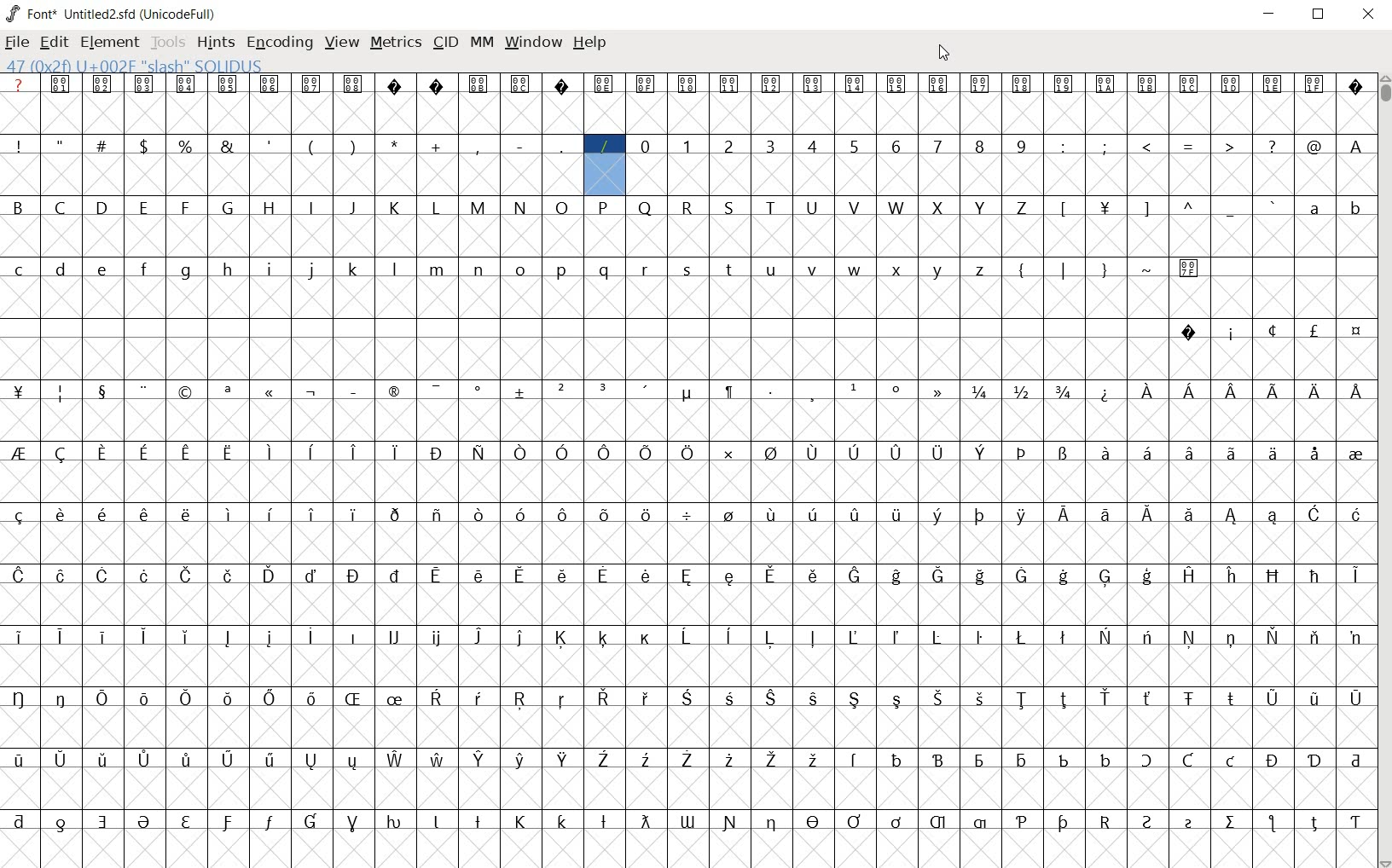  Describe the element at coordinates (270, 208) in the screenshot. I see `glyph` at that location.